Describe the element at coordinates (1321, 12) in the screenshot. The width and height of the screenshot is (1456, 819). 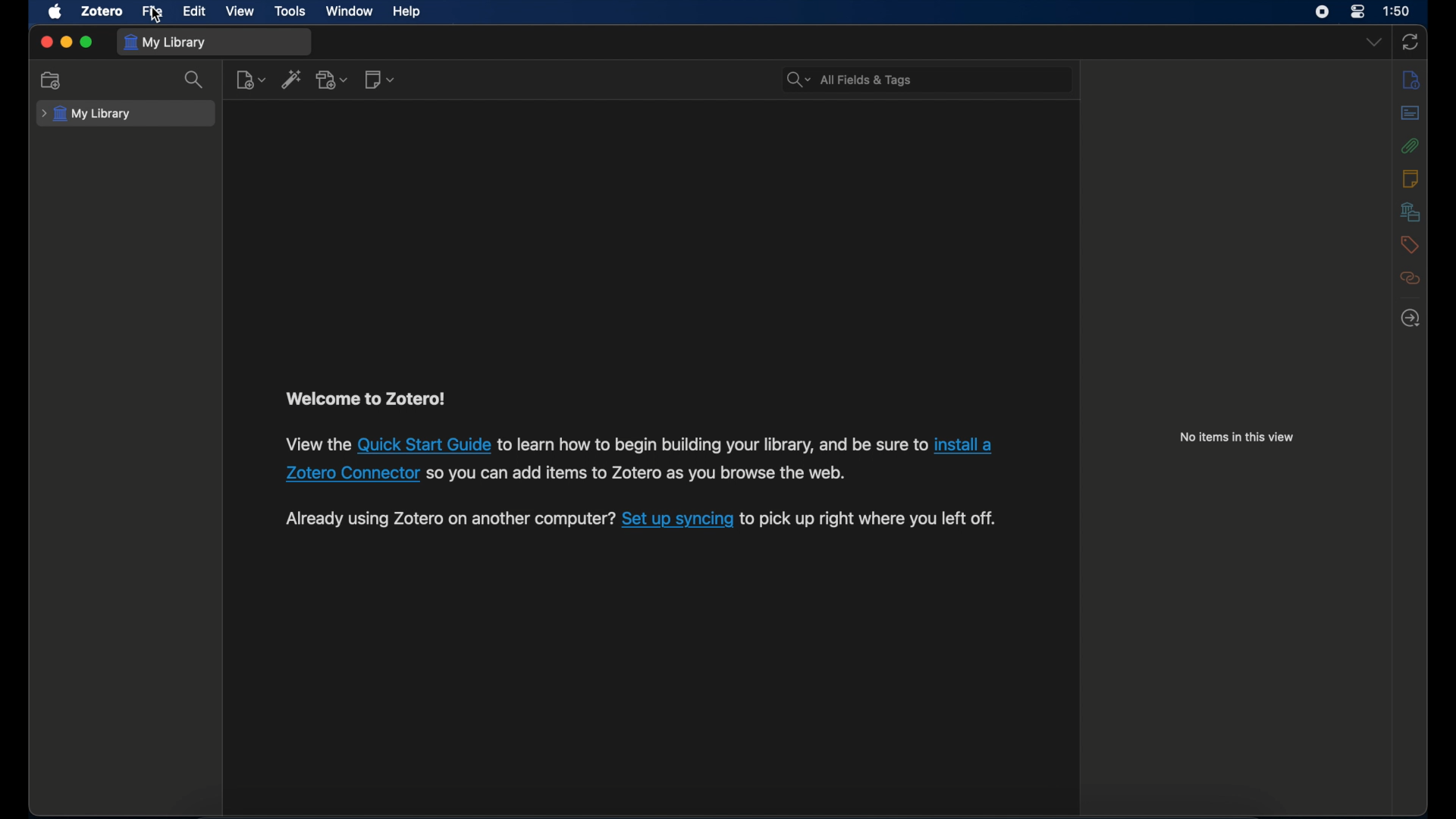
I see `screen  recorder` at that location.